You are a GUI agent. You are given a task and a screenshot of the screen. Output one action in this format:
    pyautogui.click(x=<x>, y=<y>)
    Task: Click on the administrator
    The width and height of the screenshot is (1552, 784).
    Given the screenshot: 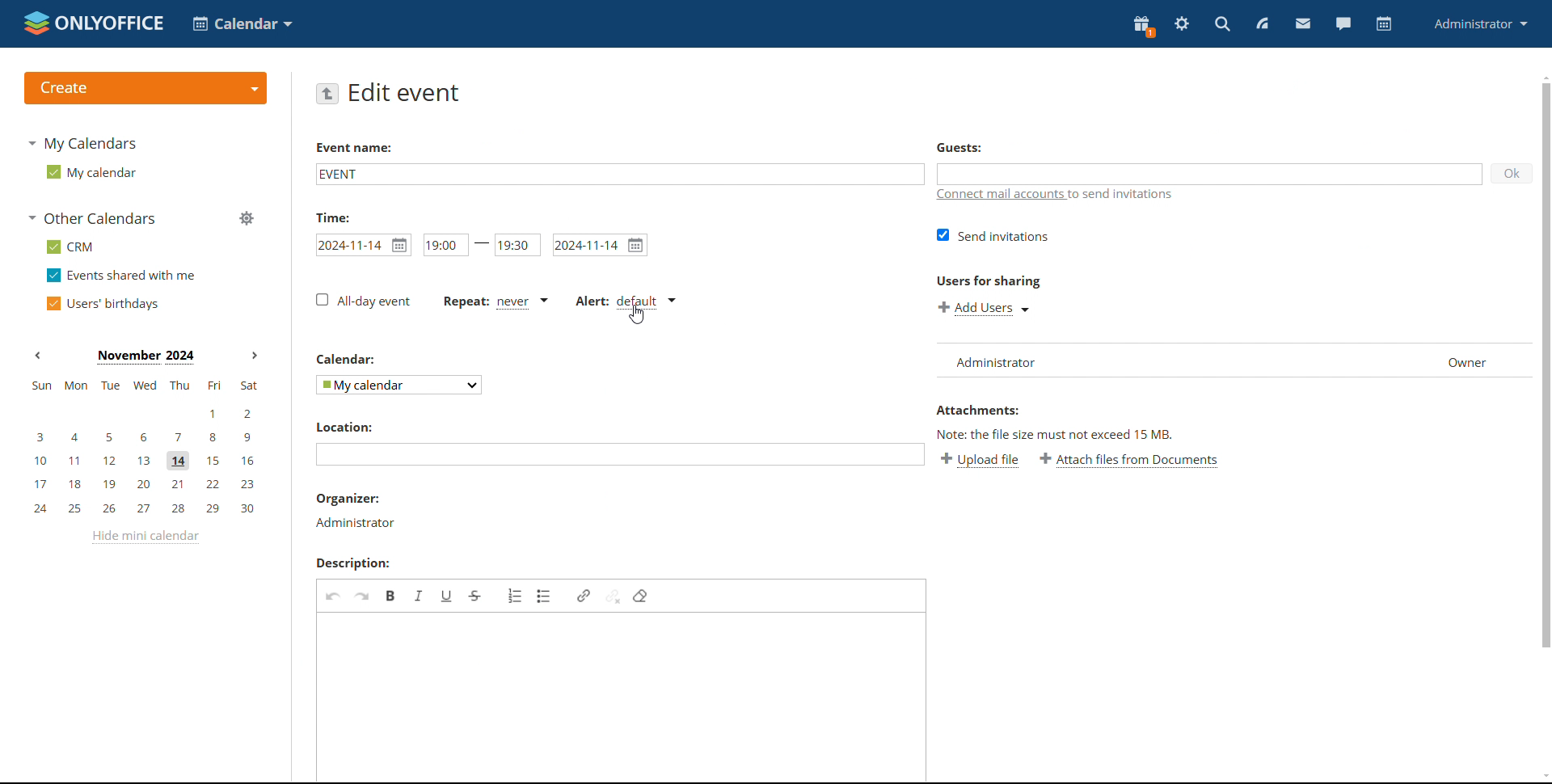 What is the action you would take?
    pyautogui.click(x=354, y=522)
    